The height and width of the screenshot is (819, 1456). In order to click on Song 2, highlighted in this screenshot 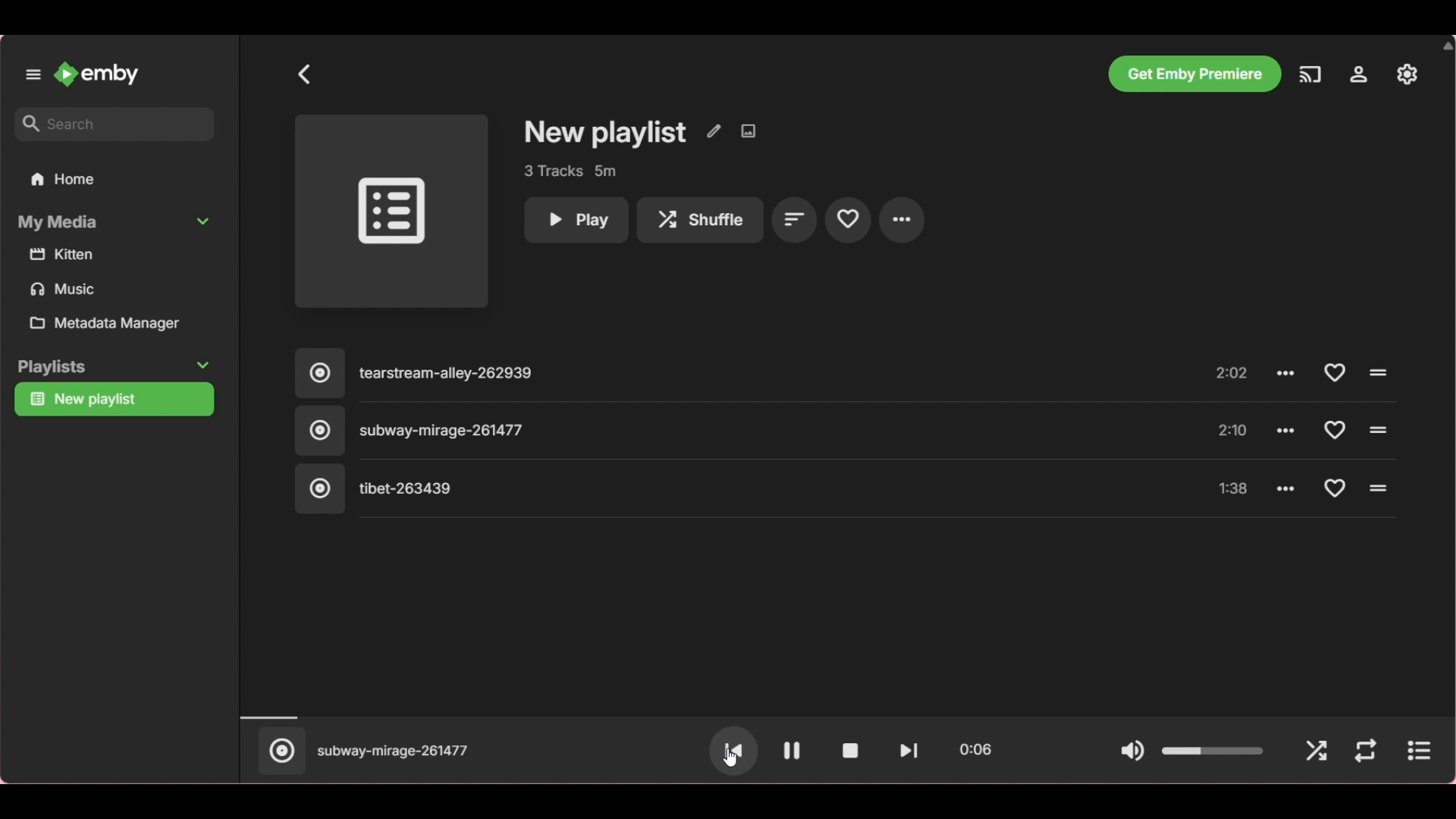, I will do `click(720, 431)`.